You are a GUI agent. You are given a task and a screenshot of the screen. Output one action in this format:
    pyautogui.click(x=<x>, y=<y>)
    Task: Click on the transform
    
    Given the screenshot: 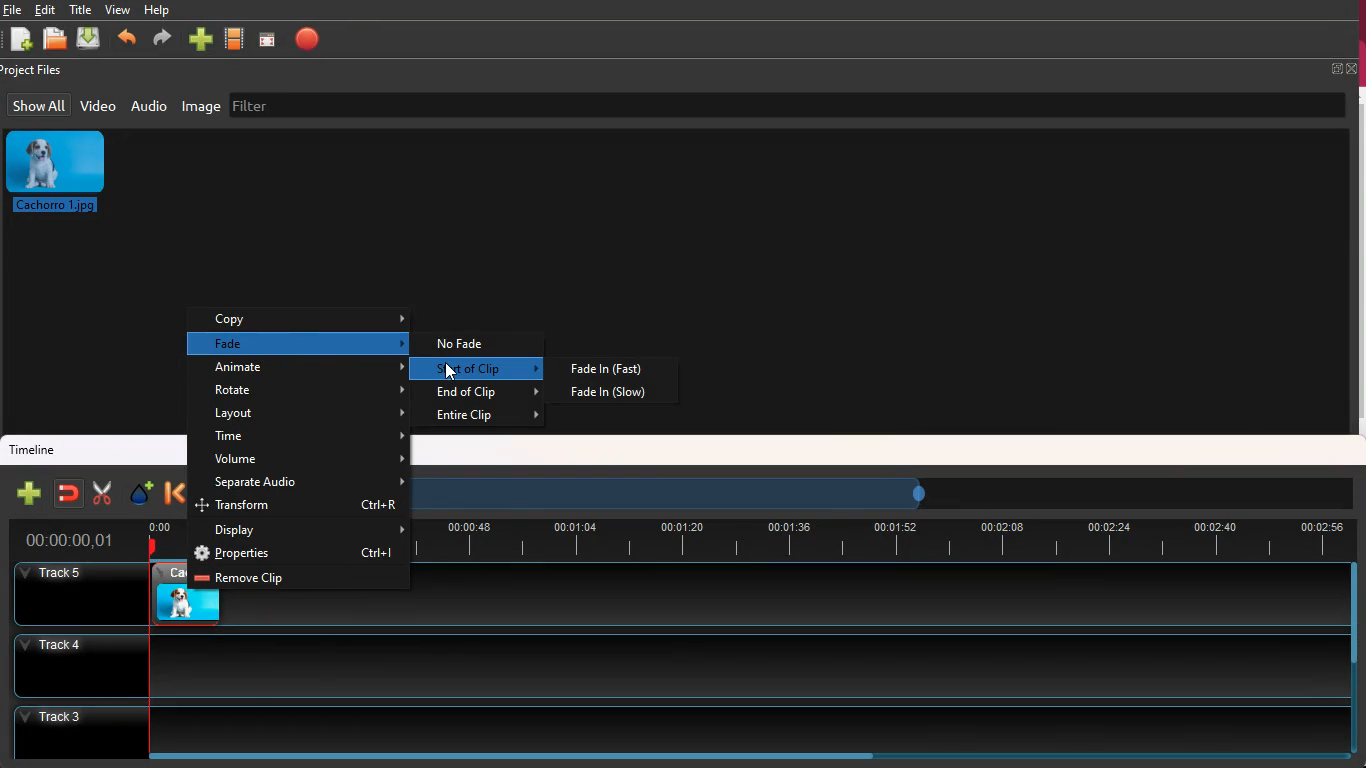 What is the action you would take?
    pyautogui.click(x=304, y=507)
    